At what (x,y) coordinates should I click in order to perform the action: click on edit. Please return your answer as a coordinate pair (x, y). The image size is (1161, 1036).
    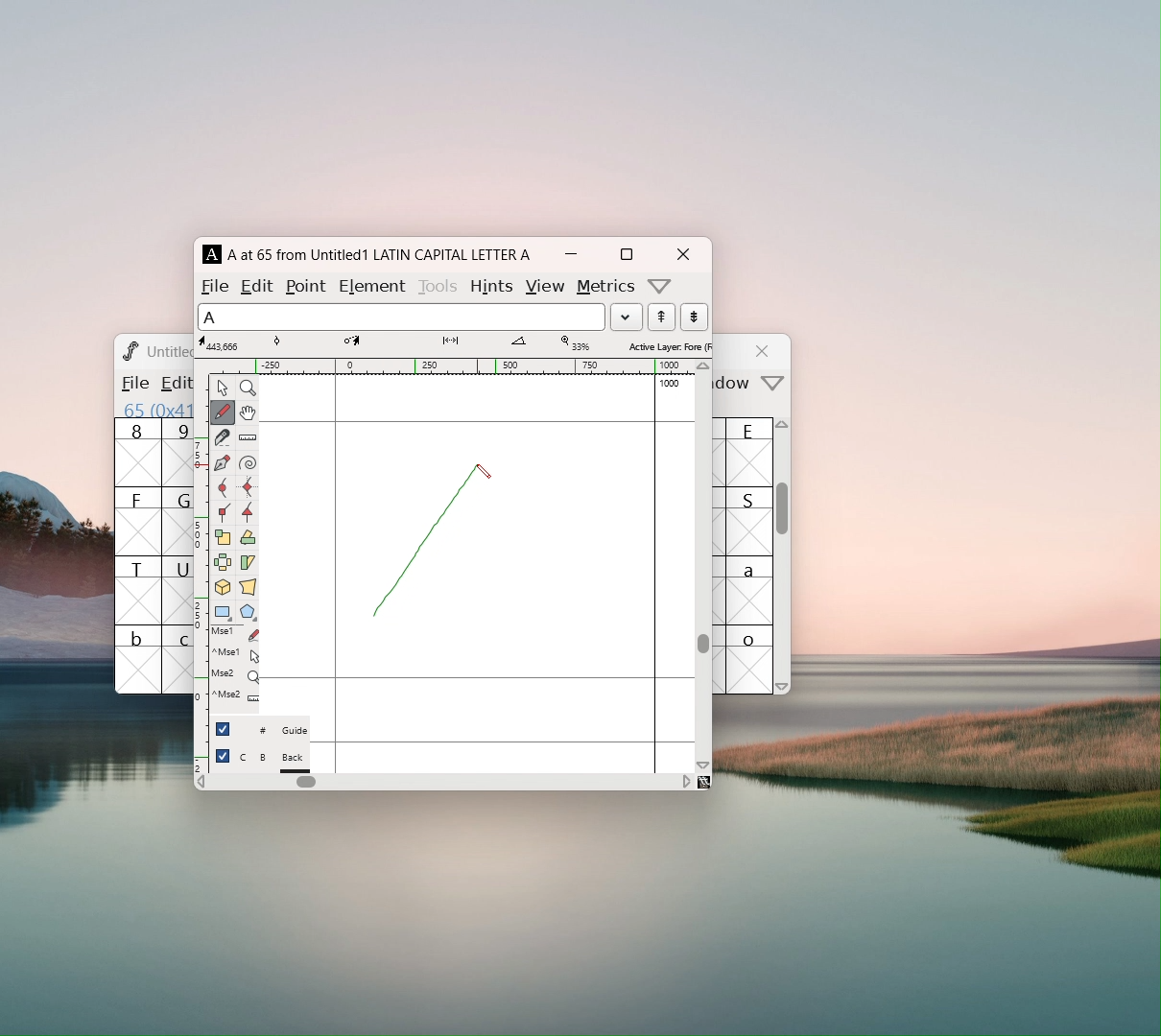
    Looking at the image, I should click on (258, 285).